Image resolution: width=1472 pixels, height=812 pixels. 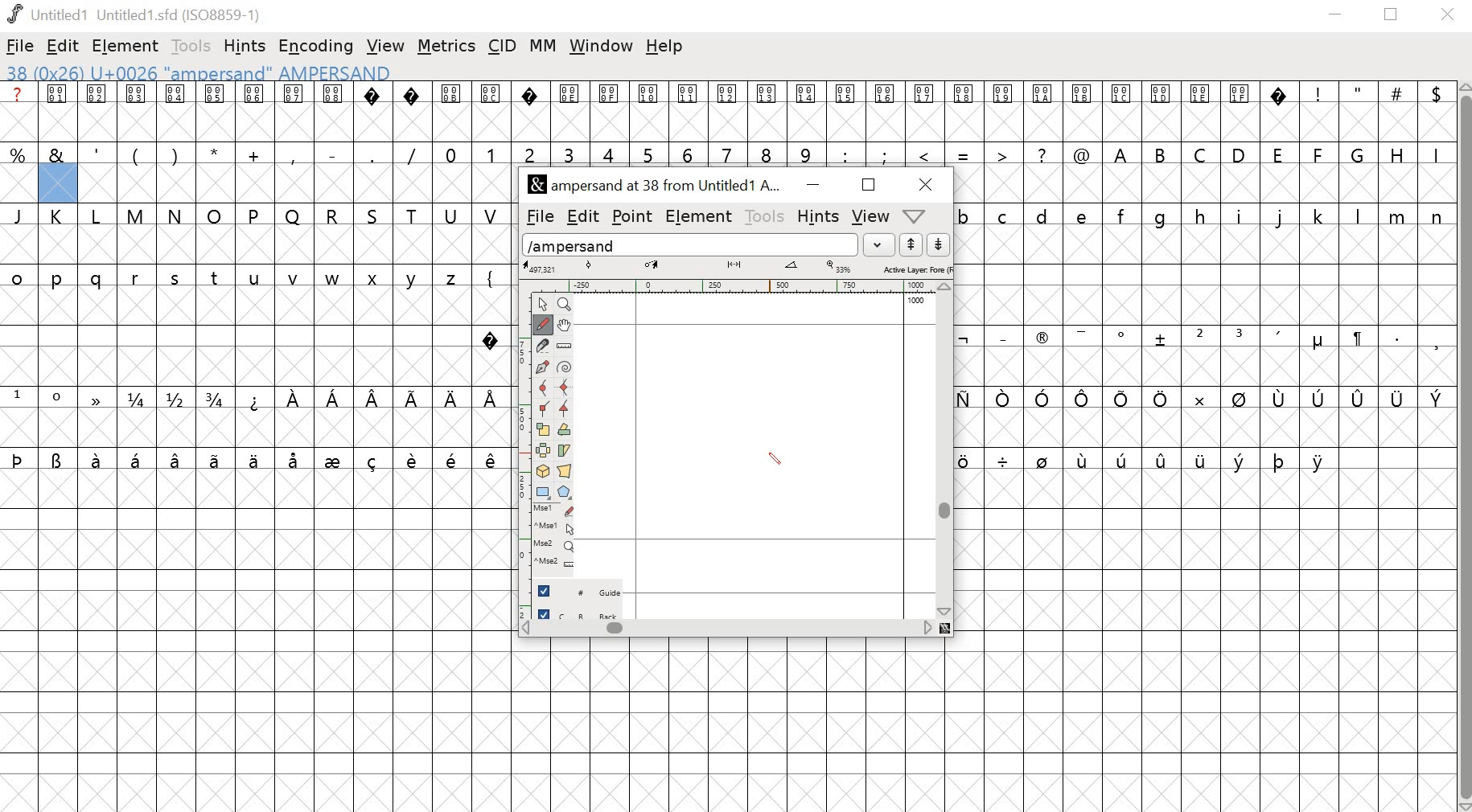 I want to click on K, so click(x=60, y=217).